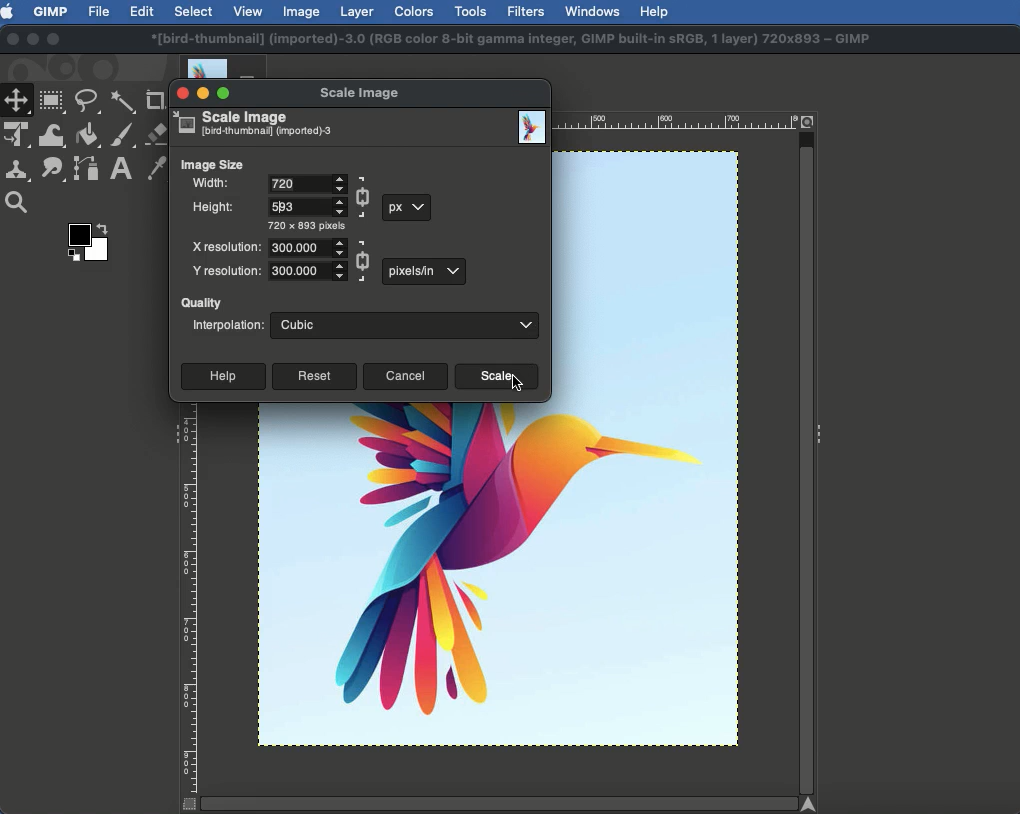 Image resolution: width=1020 pixels, height=814 pixels. Describe the element at coordinates (174, 433) in the screenshot. I see `Collapse` at that location.